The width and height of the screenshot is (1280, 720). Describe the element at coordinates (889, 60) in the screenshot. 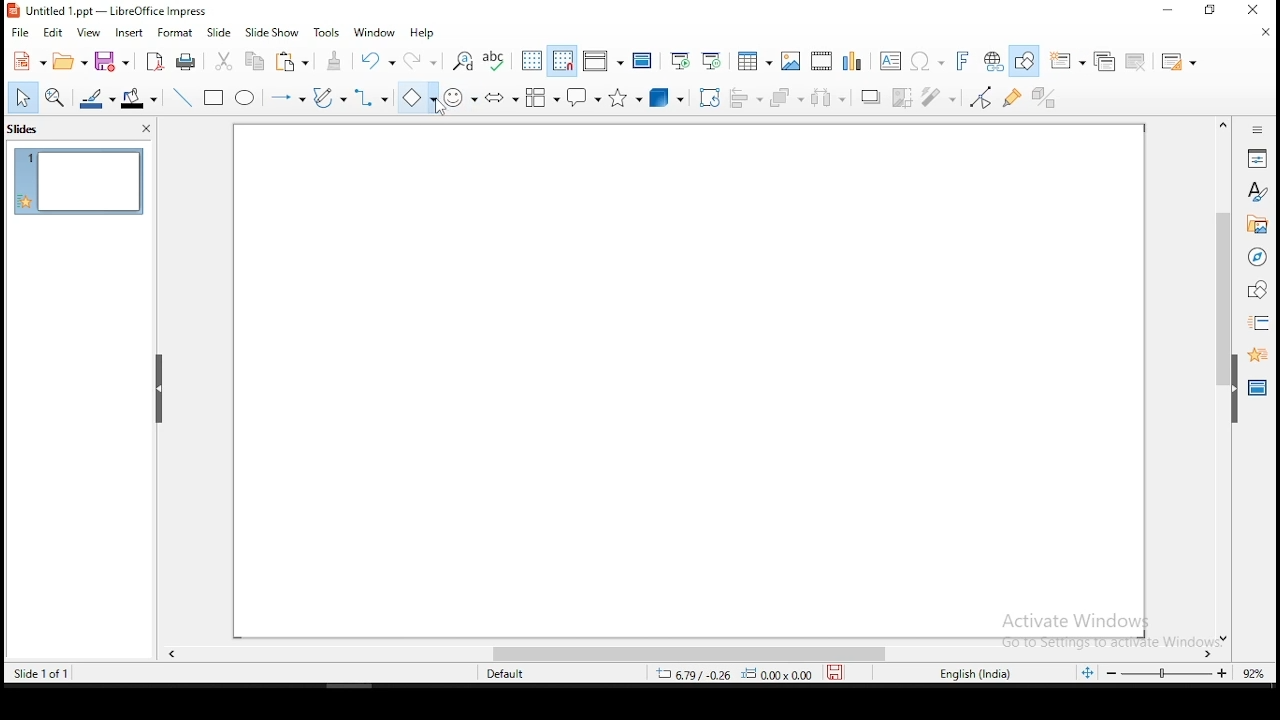

I see `text box` at that location.